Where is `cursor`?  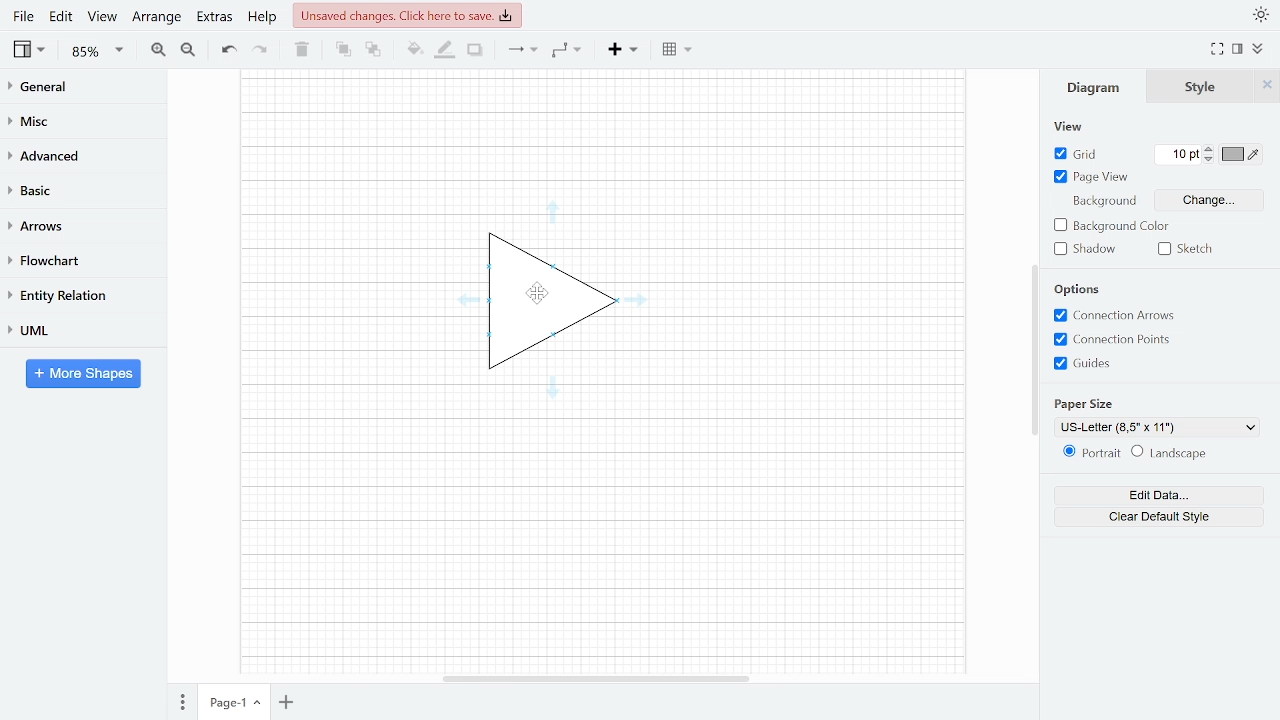
cursor is located at coordinates (539, 294).